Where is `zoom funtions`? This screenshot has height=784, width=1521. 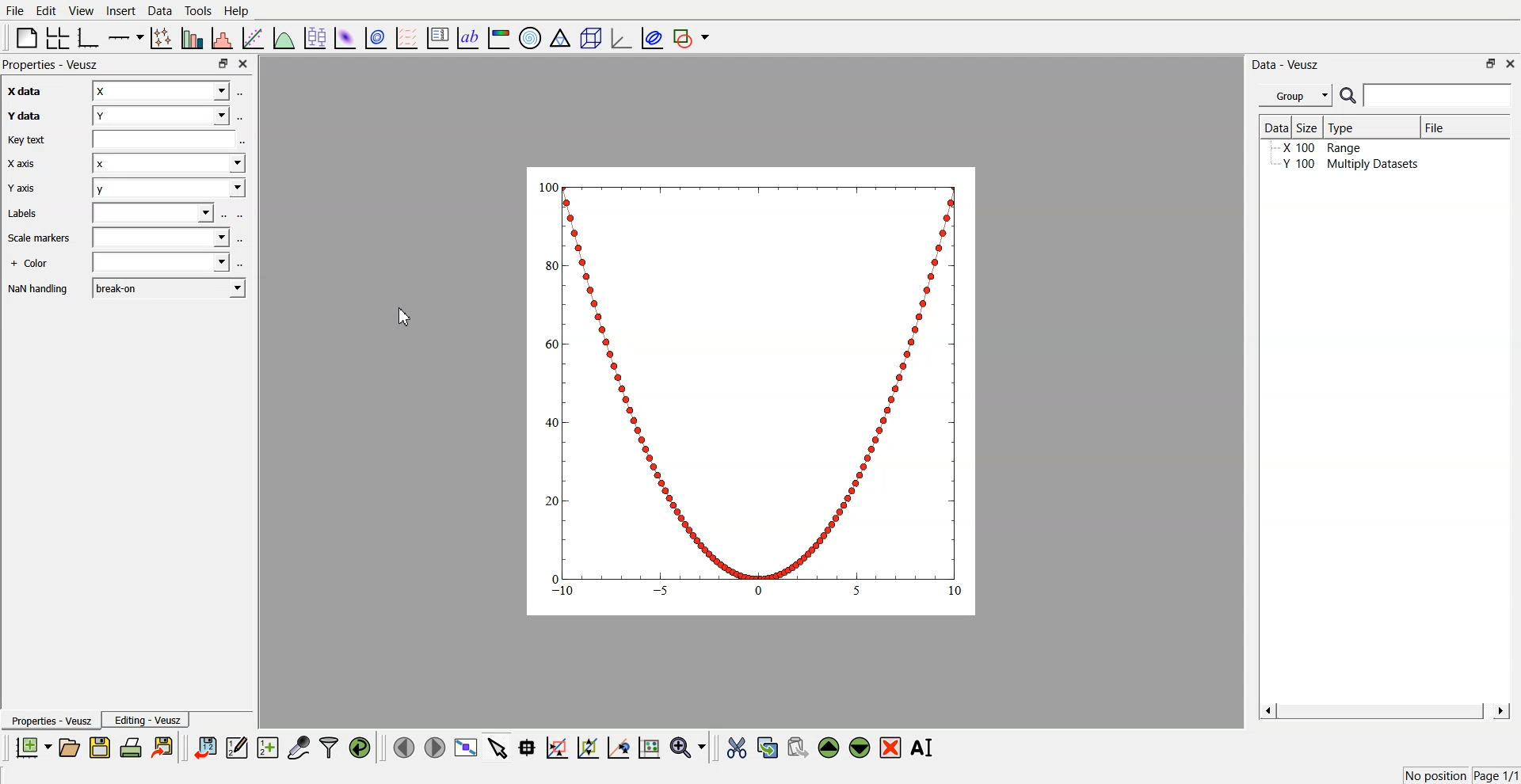
zoom funtions is located at coordinates (688, 748).